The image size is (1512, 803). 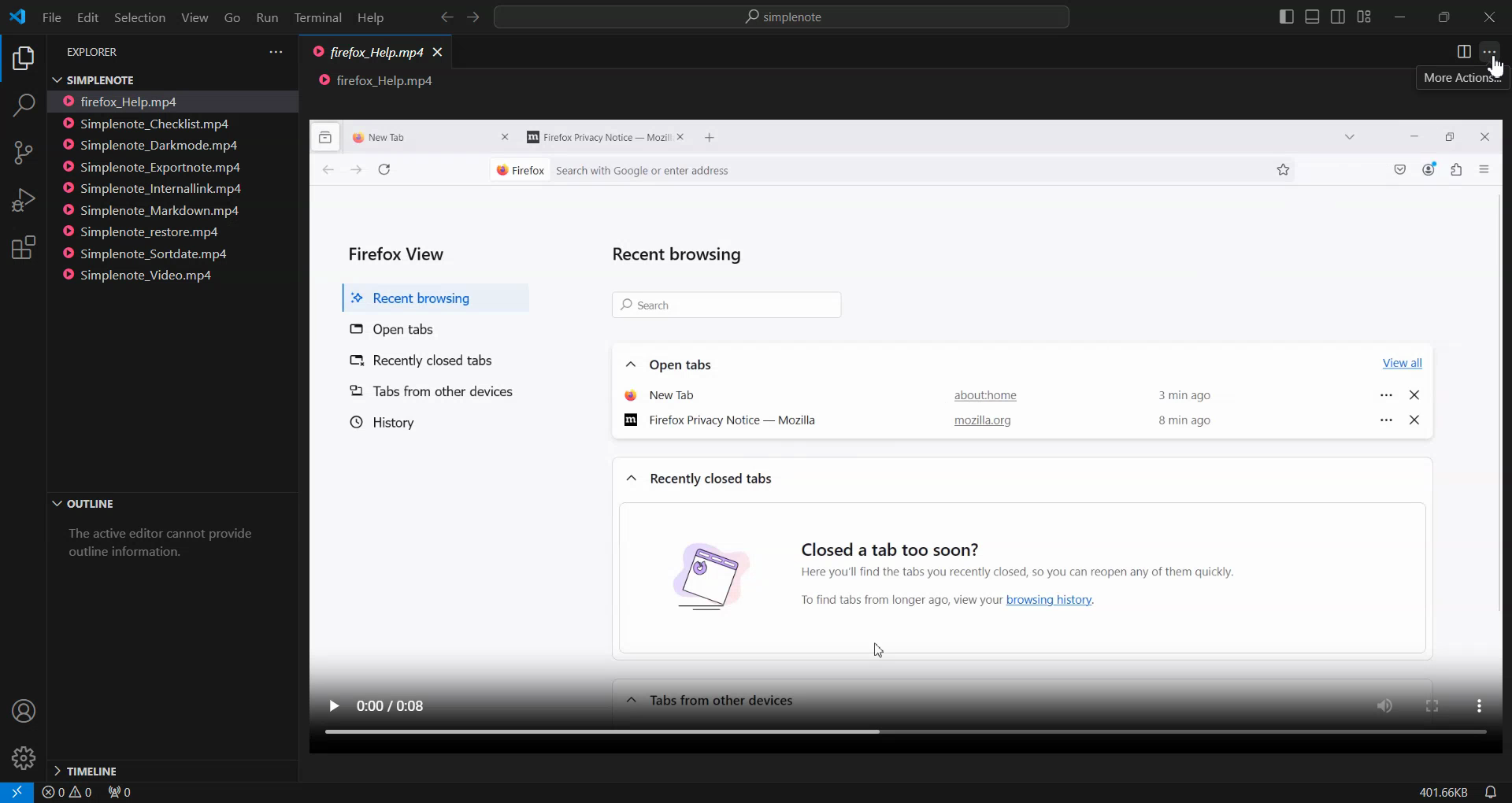 I want to click on go forward one page, so click(x=355, y=172).